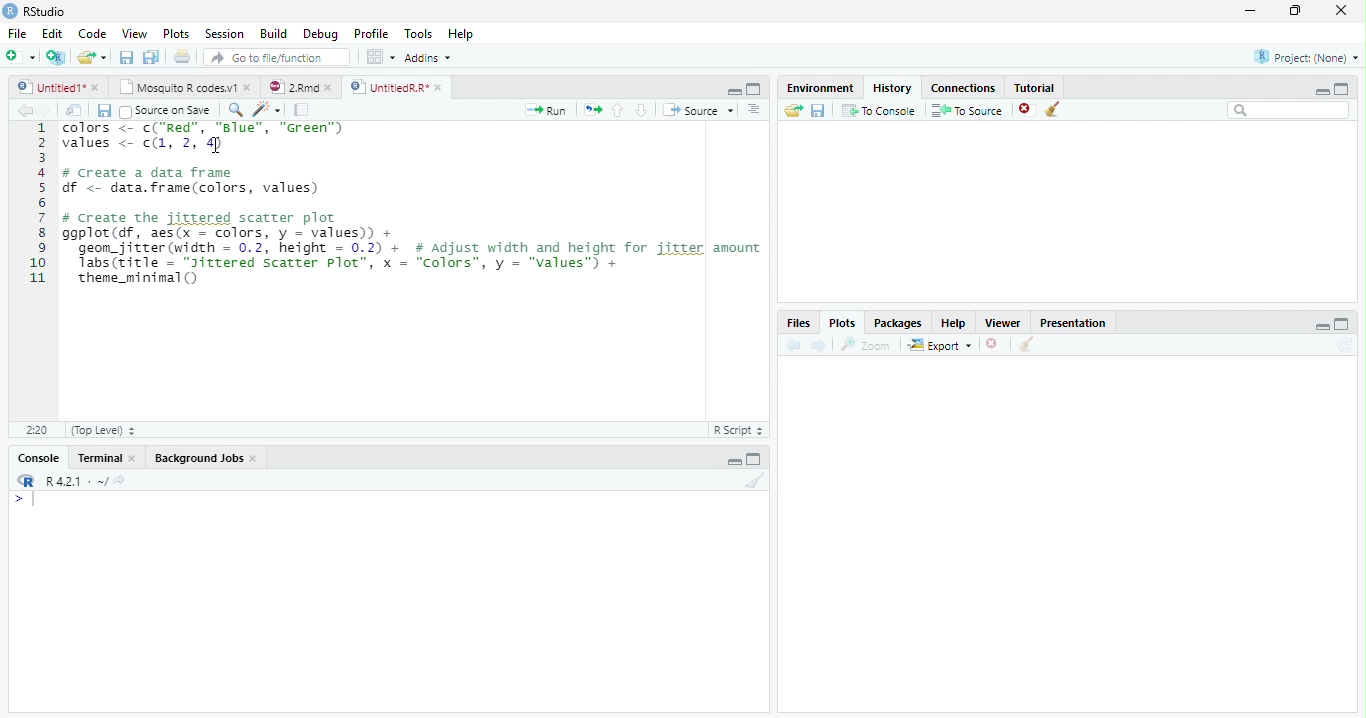  I want to click on Show document outline, so click(753, 109).